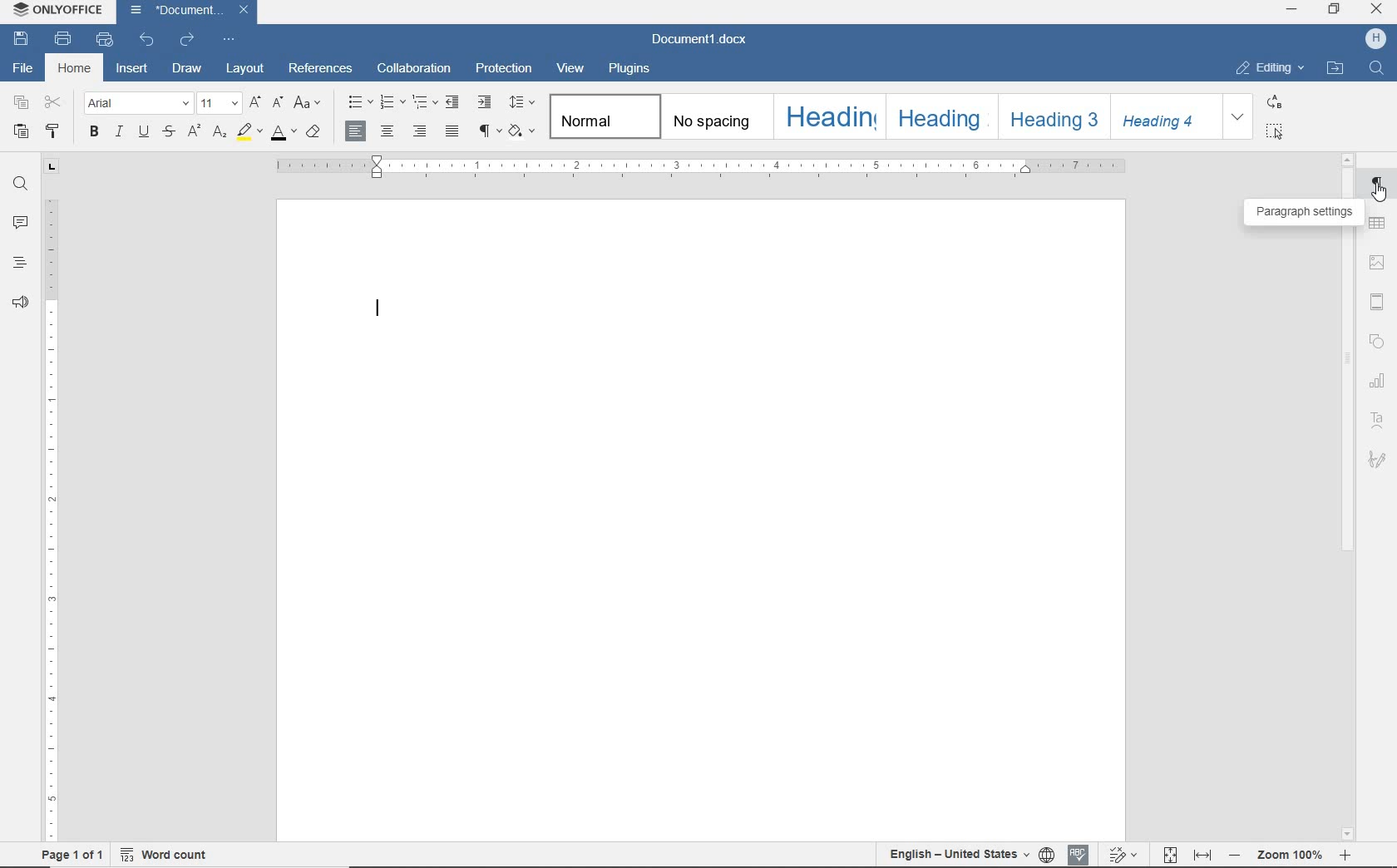 The width and height of the screenshot is (1397, 868). Describe the element at coordinates (22, 70) in the screenshot. I see `file` at that location.